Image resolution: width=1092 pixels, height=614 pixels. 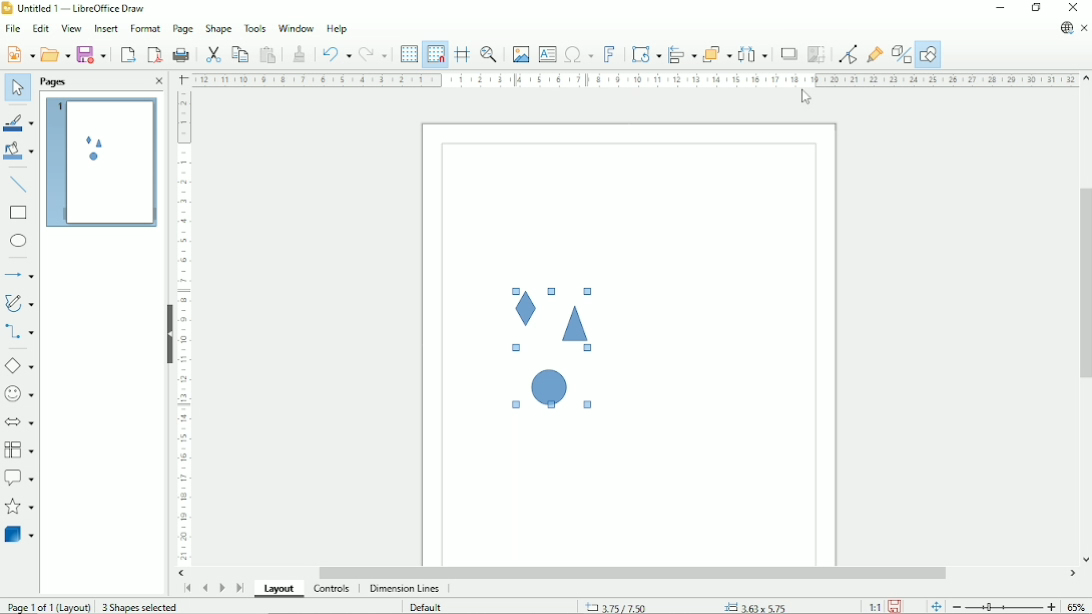 I want to click on Default, so click(x=425, y=607).